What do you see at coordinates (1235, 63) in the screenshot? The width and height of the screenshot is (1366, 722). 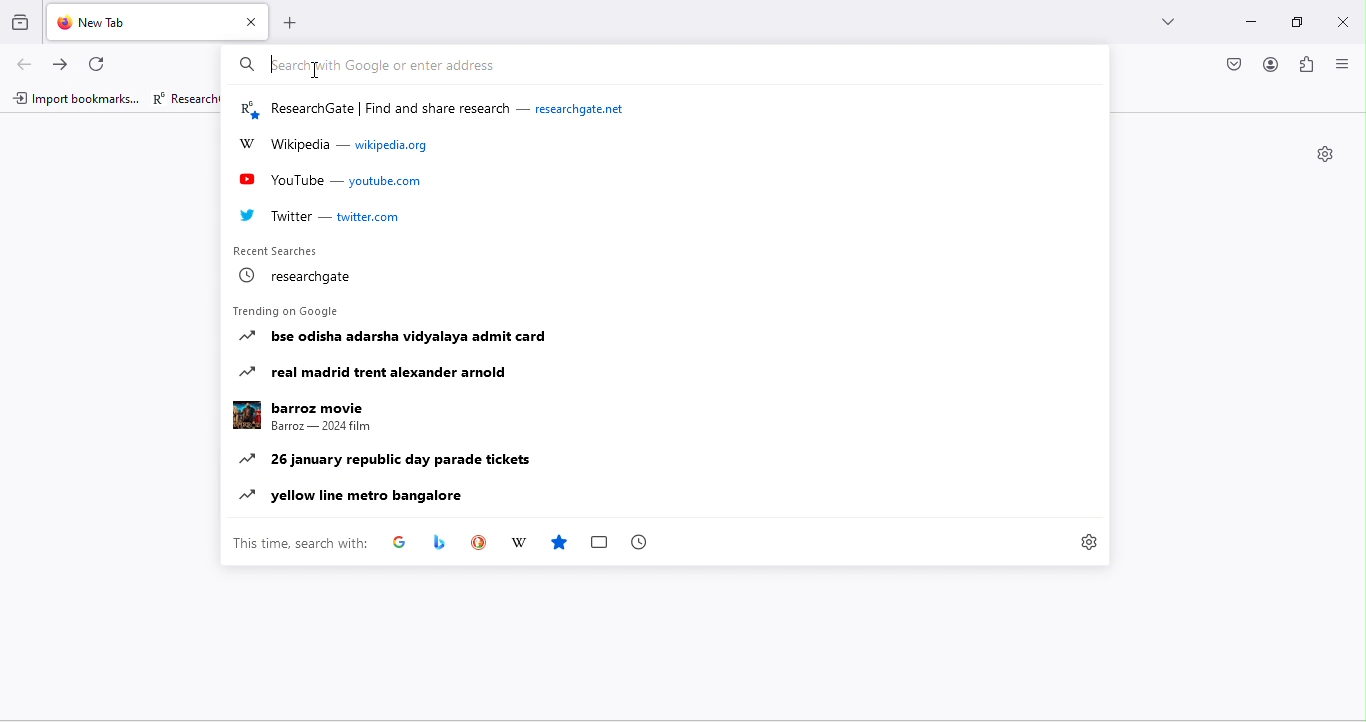 I see `pocket` at bounding box center [1235, 63].